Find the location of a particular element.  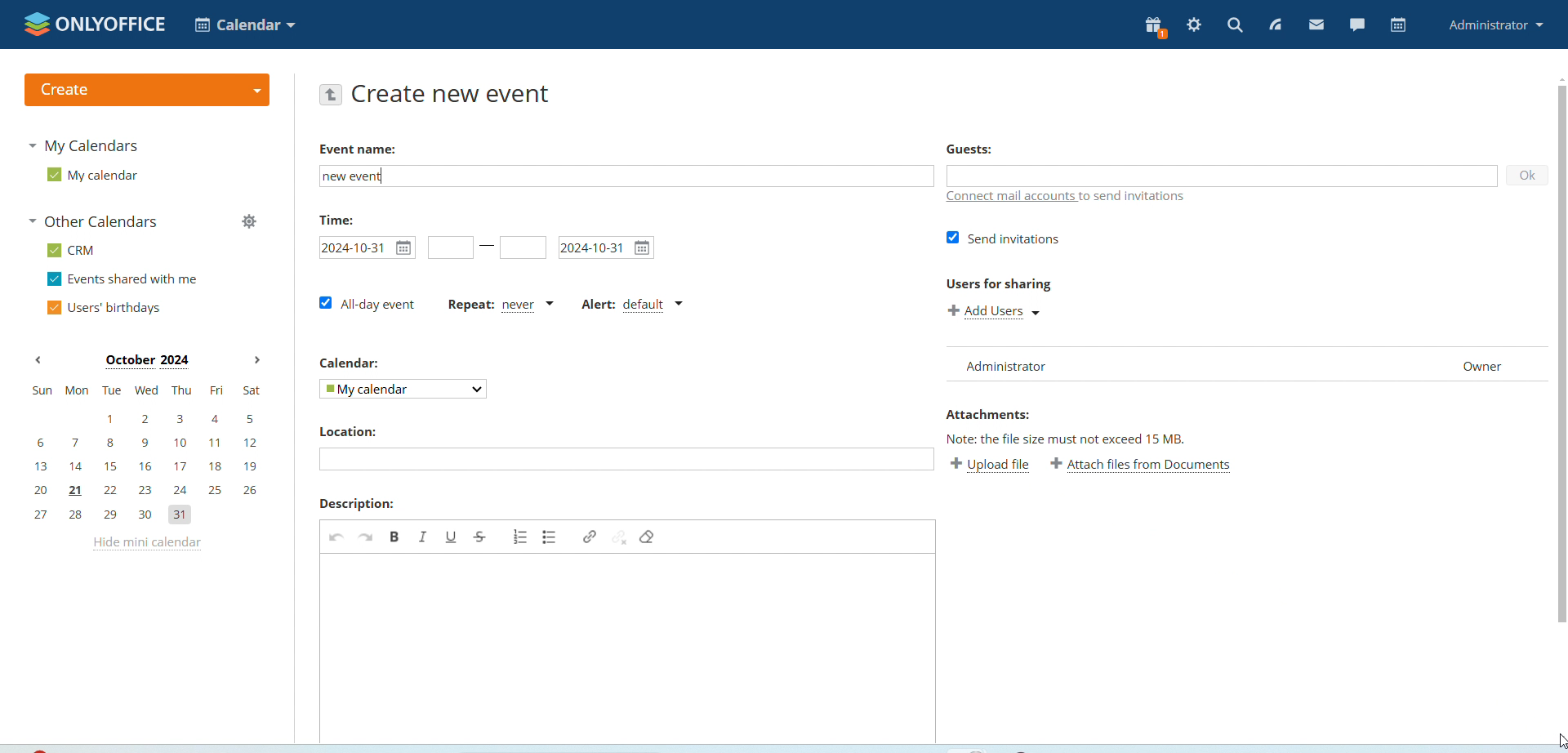

mail is located at coordinates (1317, 25).